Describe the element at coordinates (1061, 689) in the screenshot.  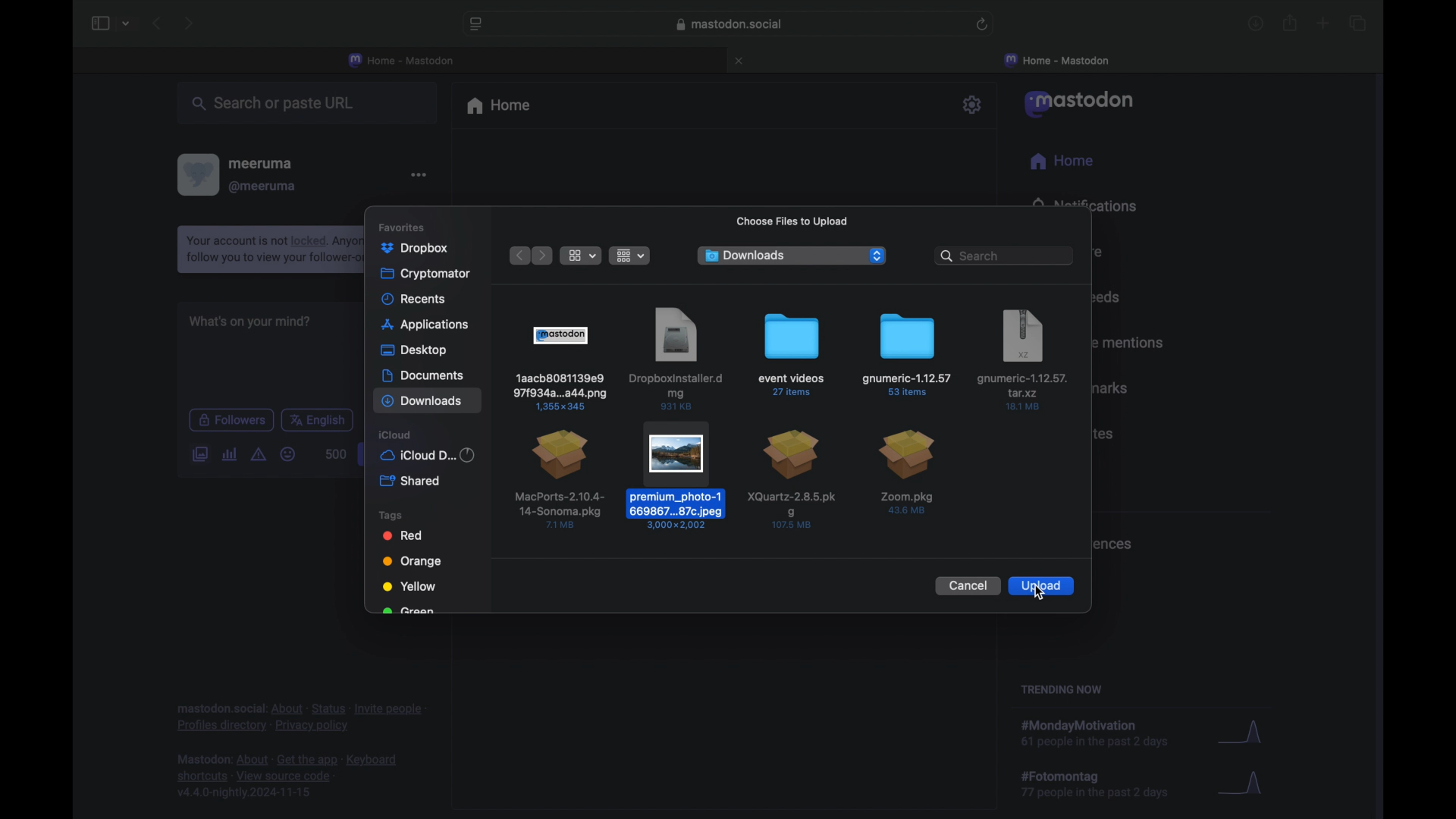
I see `trending now` at that location.